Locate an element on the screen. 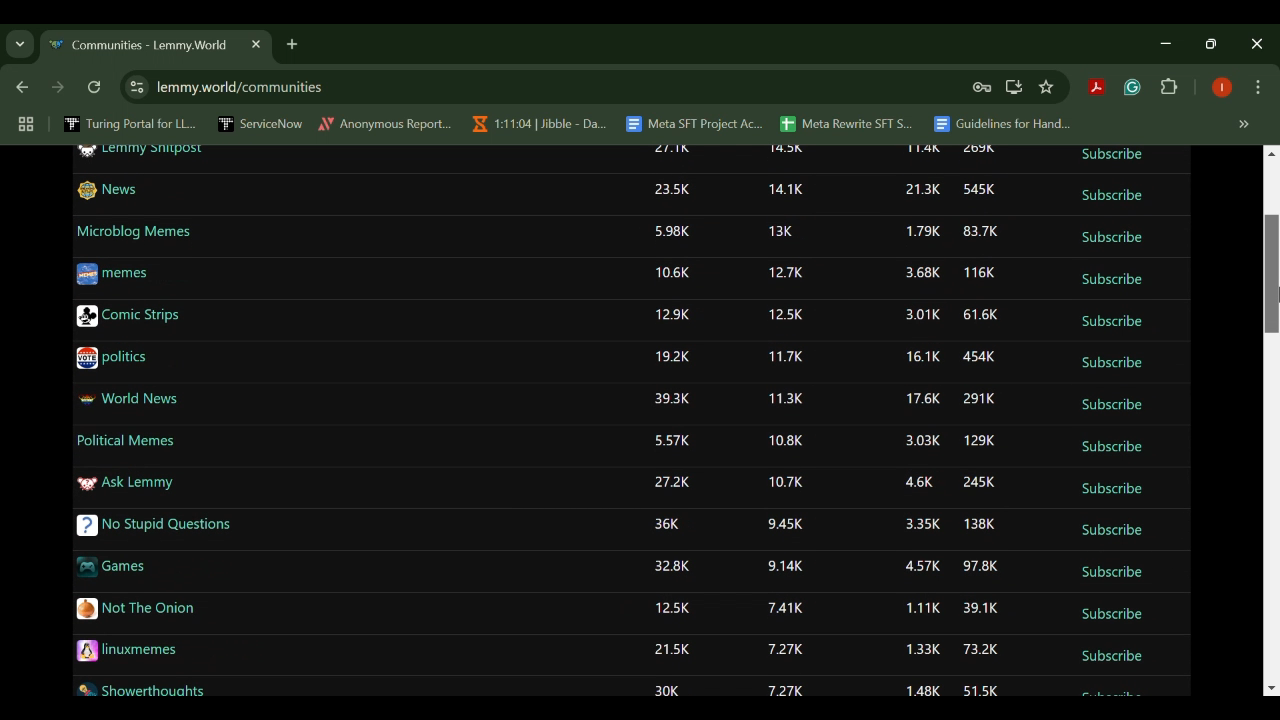 This screenshot has width=1280, height=720. 17.6K is located at coordinates (922, 402).